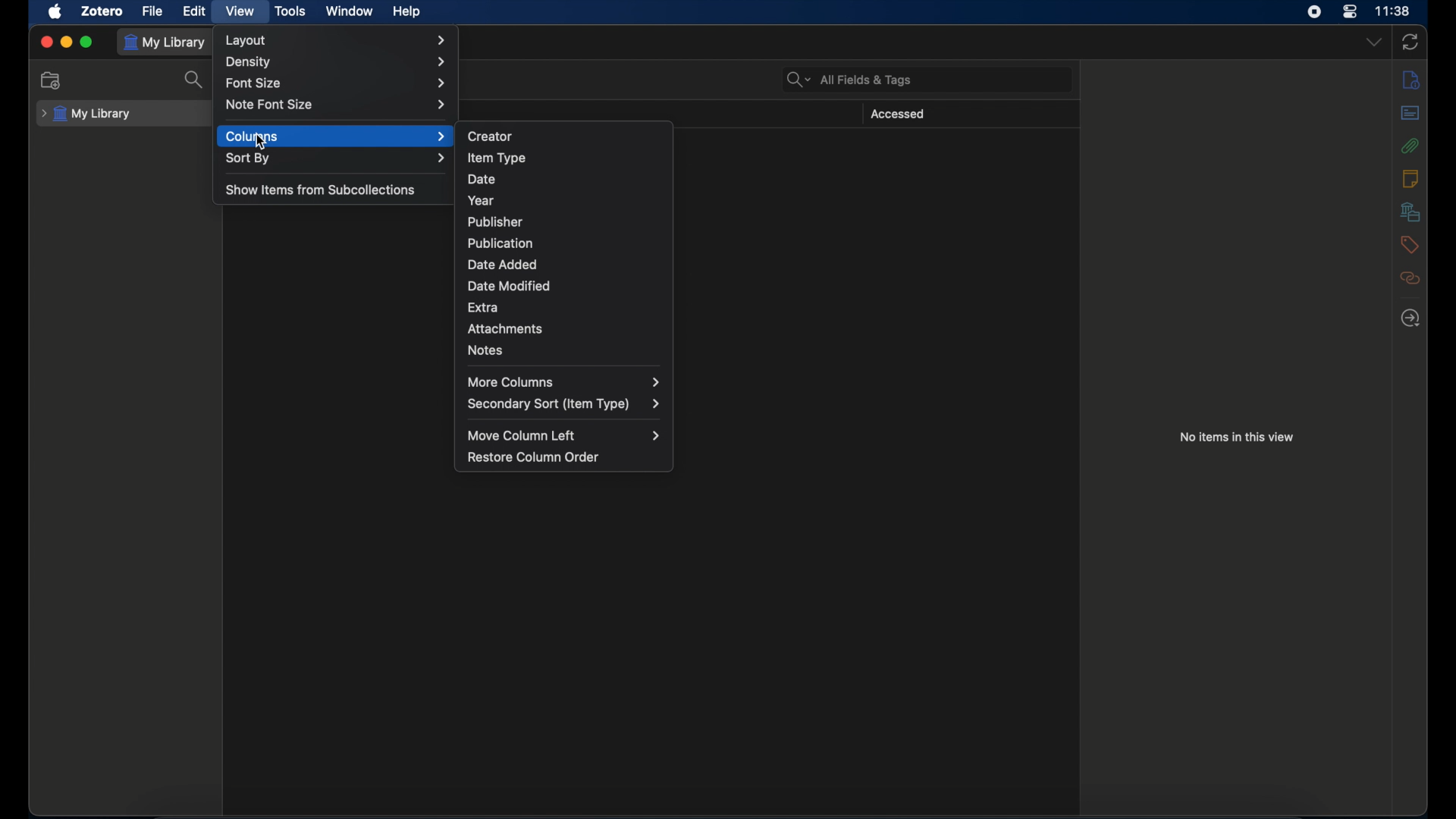  Describe the element at coordinates (496, 158) in the screenshot. I see `item type` at that location.